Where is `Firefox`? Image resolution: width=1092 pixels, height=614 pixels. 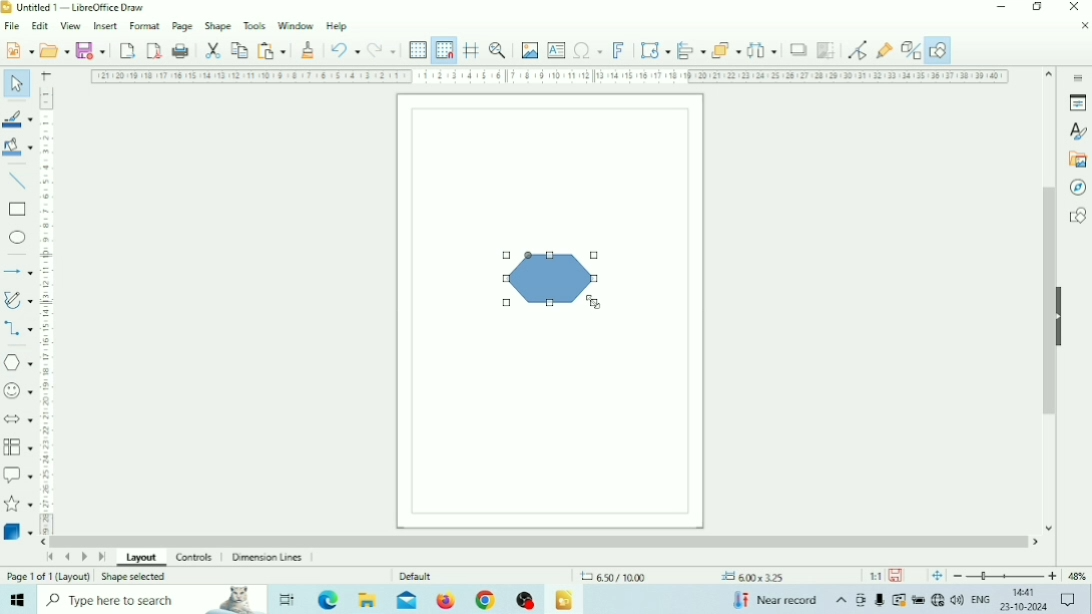 Firefox is located at coordinates (446, 600).